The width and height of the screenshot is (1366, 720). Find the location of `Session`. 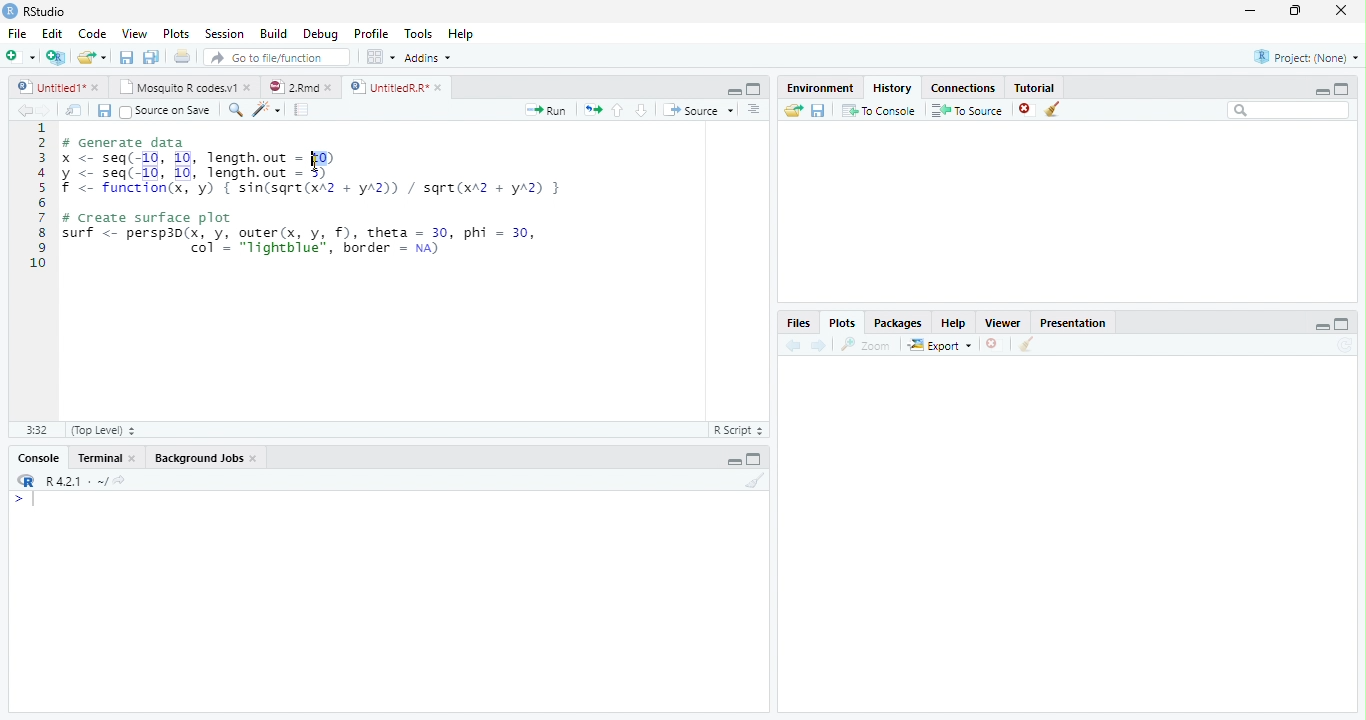

Session is located at coordinates (223, 34).